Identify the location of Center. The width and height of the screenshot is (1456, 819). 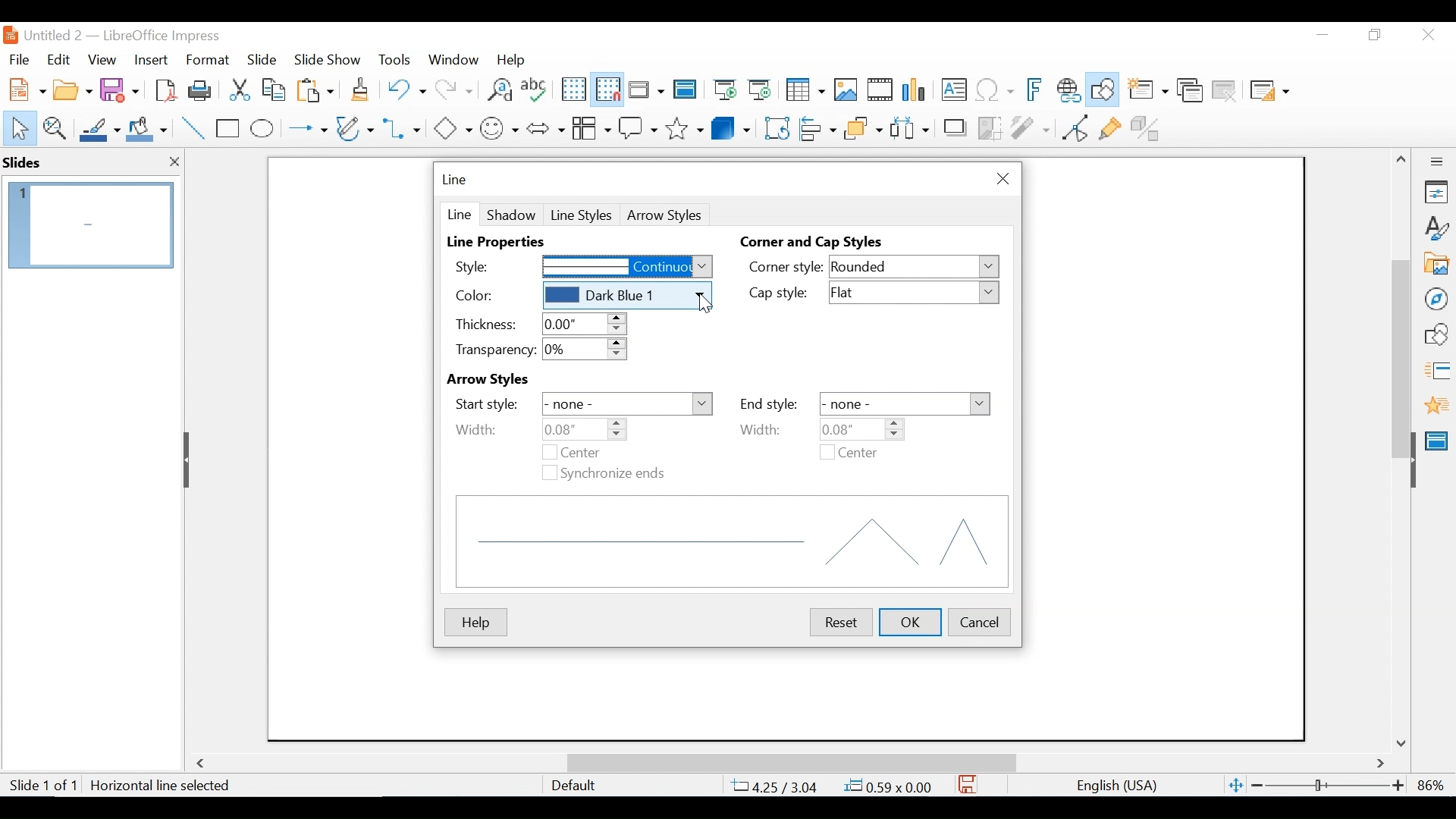
(858, 454).